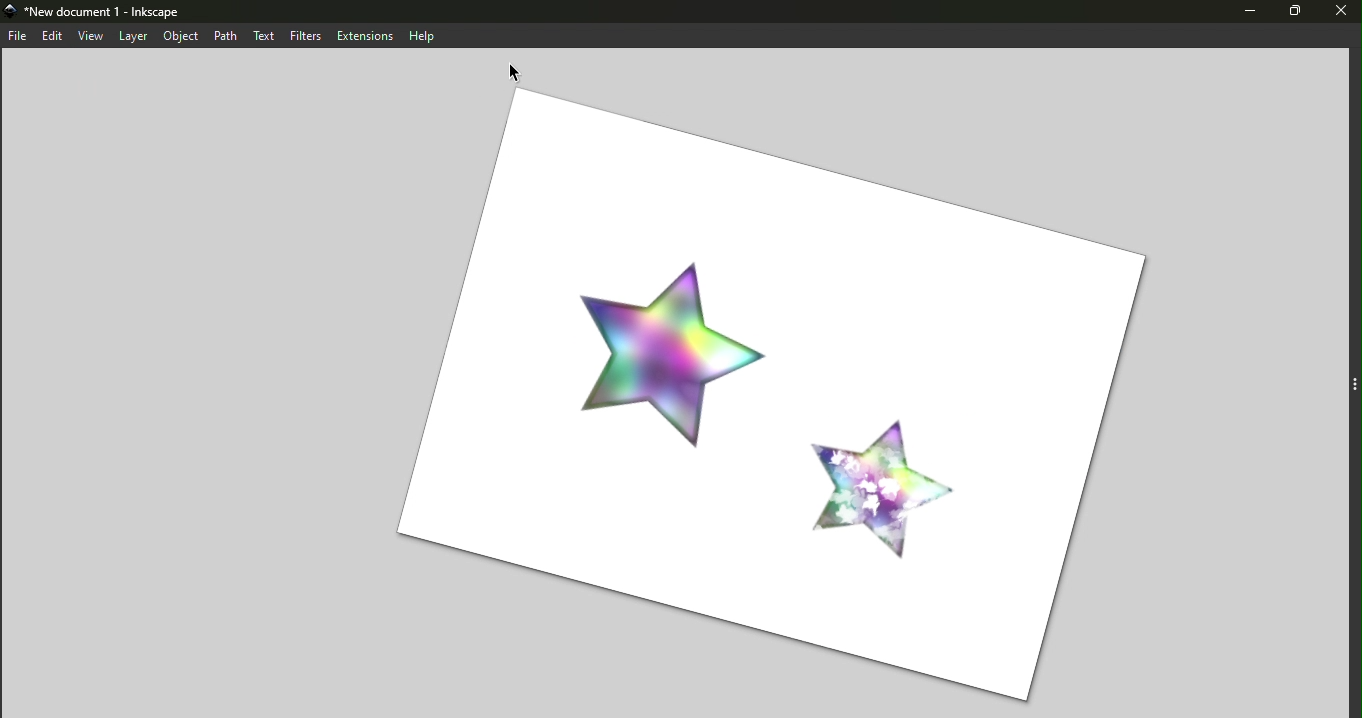 This screenshot has width=1362, height=718. I want to click on Layer, so click(133, 36).